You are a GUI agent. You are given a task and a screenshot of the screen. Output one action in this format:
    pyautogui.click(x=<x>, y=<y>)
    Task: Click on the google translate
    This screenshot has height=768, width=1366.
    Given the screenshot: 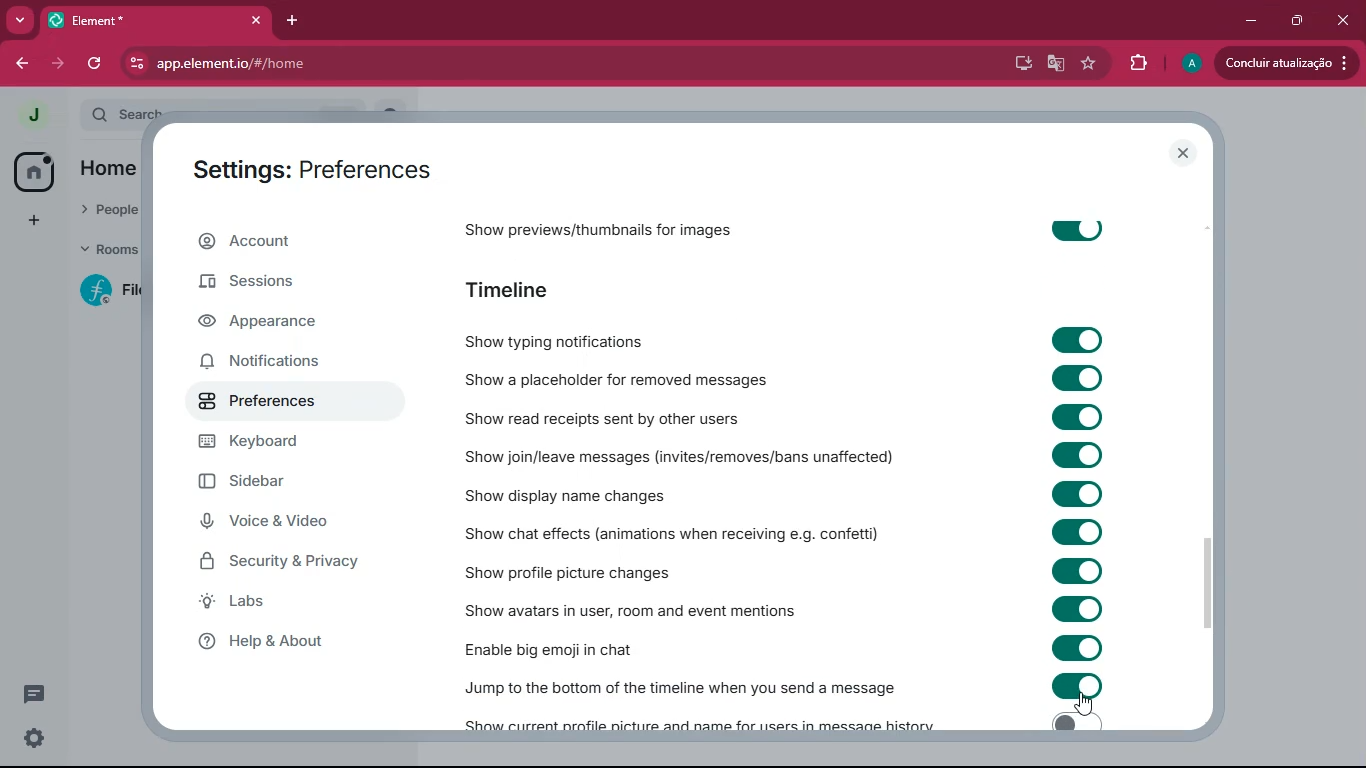 What is the action you would take?
    pyautogui.click(x=1054, y=64)
    